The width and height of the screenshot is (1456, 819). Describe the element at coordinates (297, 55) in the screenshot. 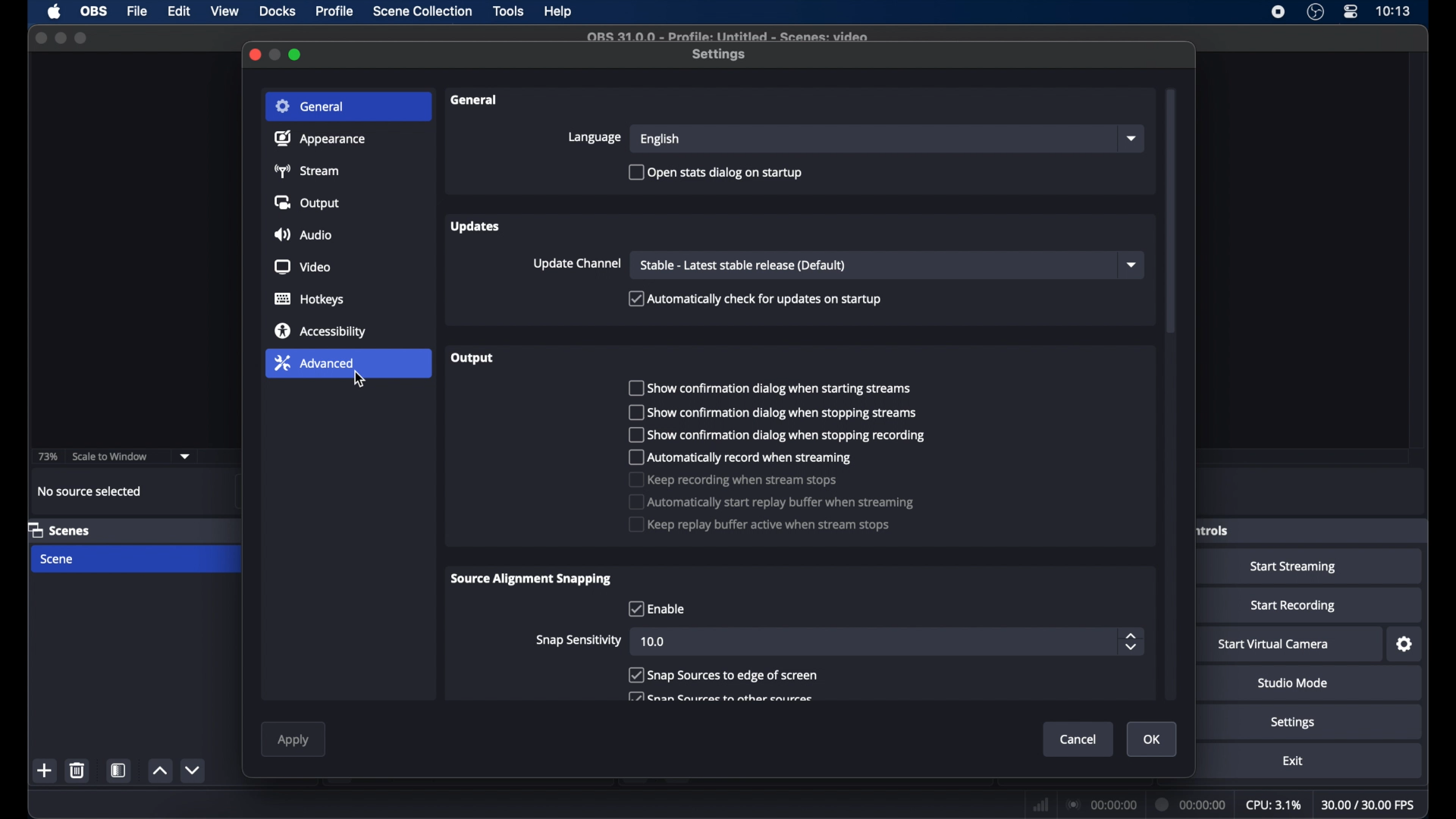

I see `maximize` at that location.